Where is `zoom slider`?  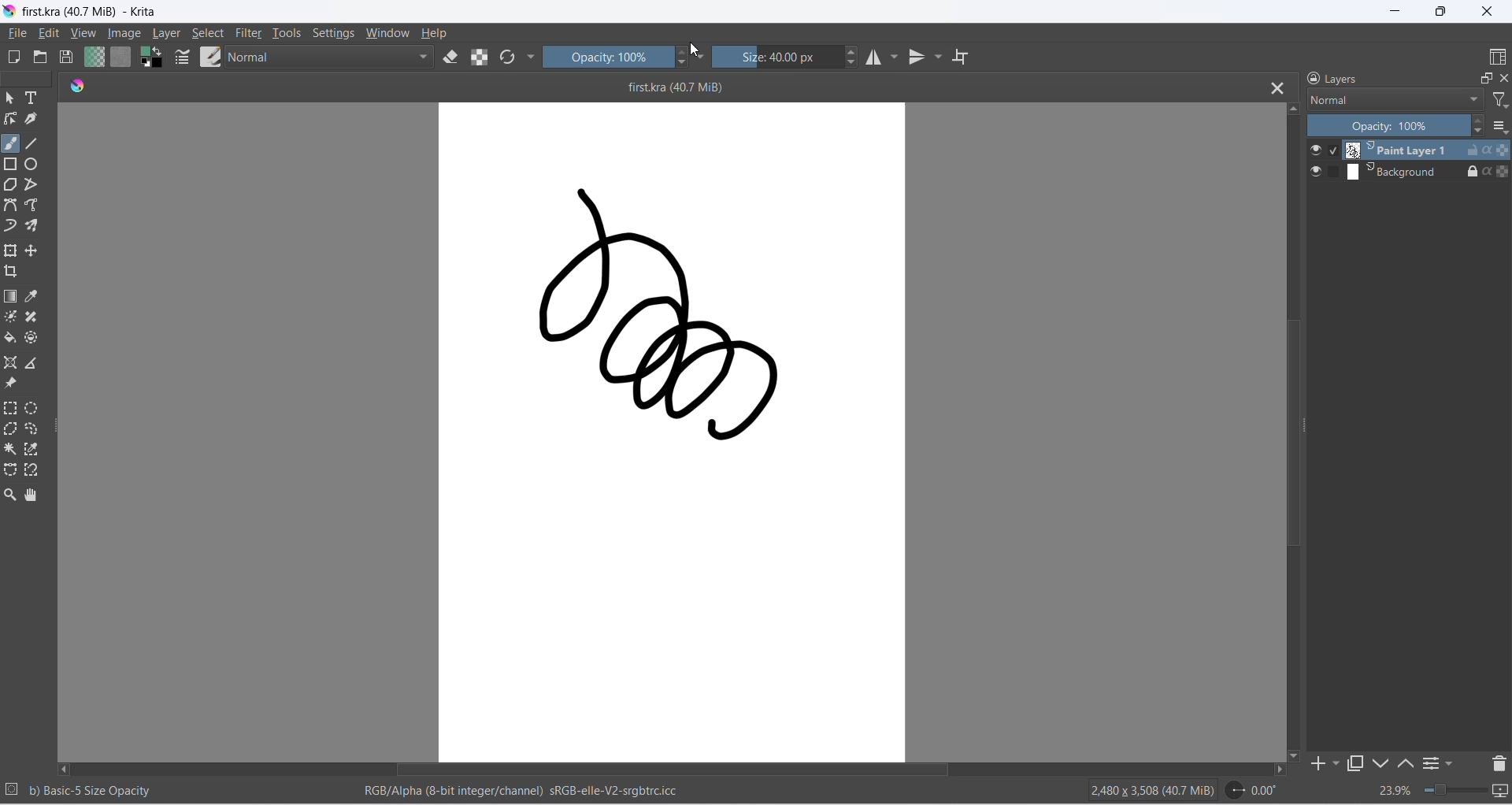
zoom slider is located at coordinates (1455, 789).